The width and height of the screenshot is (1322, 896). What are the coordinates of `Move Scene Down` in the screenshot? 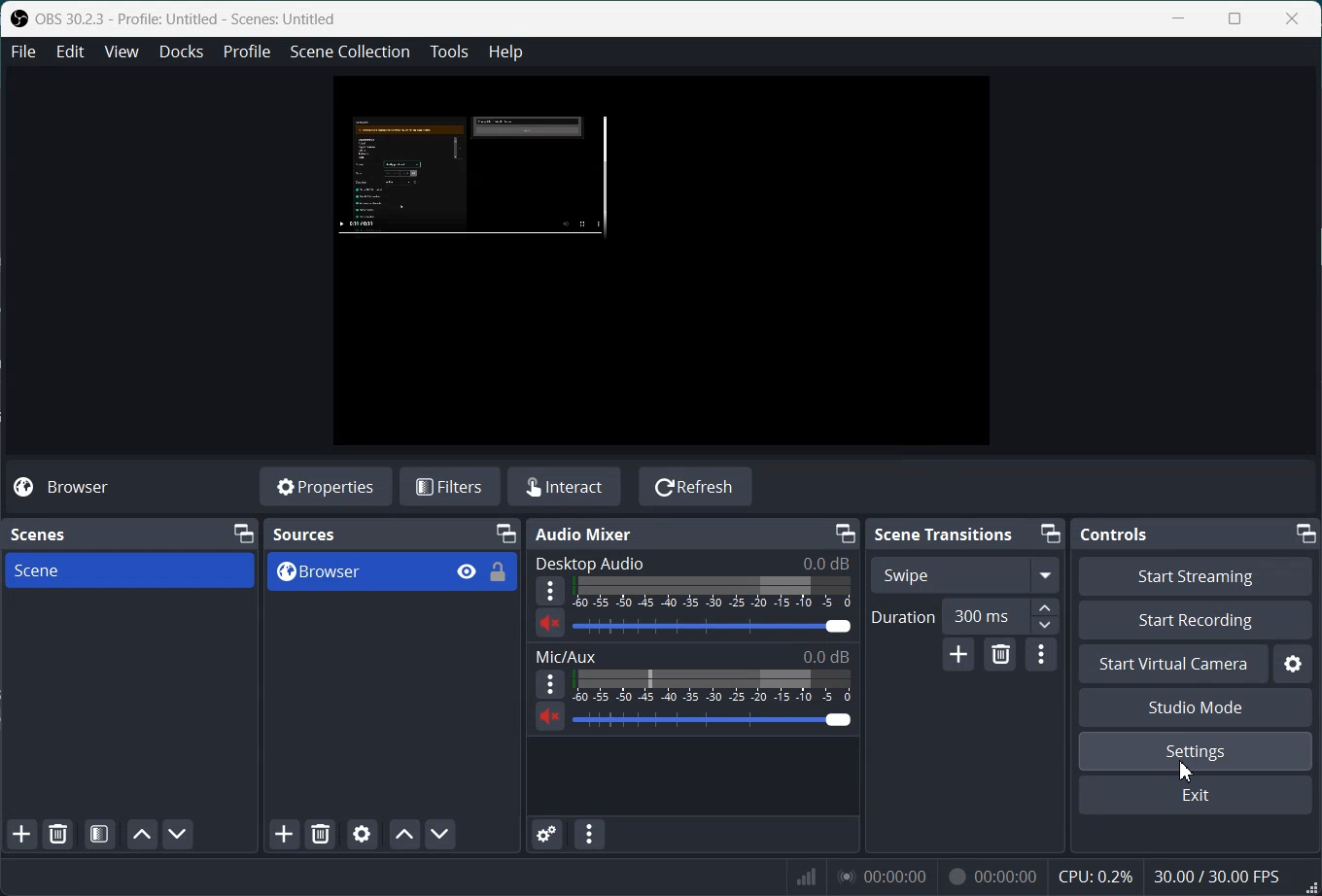 It's located at (178, 834).